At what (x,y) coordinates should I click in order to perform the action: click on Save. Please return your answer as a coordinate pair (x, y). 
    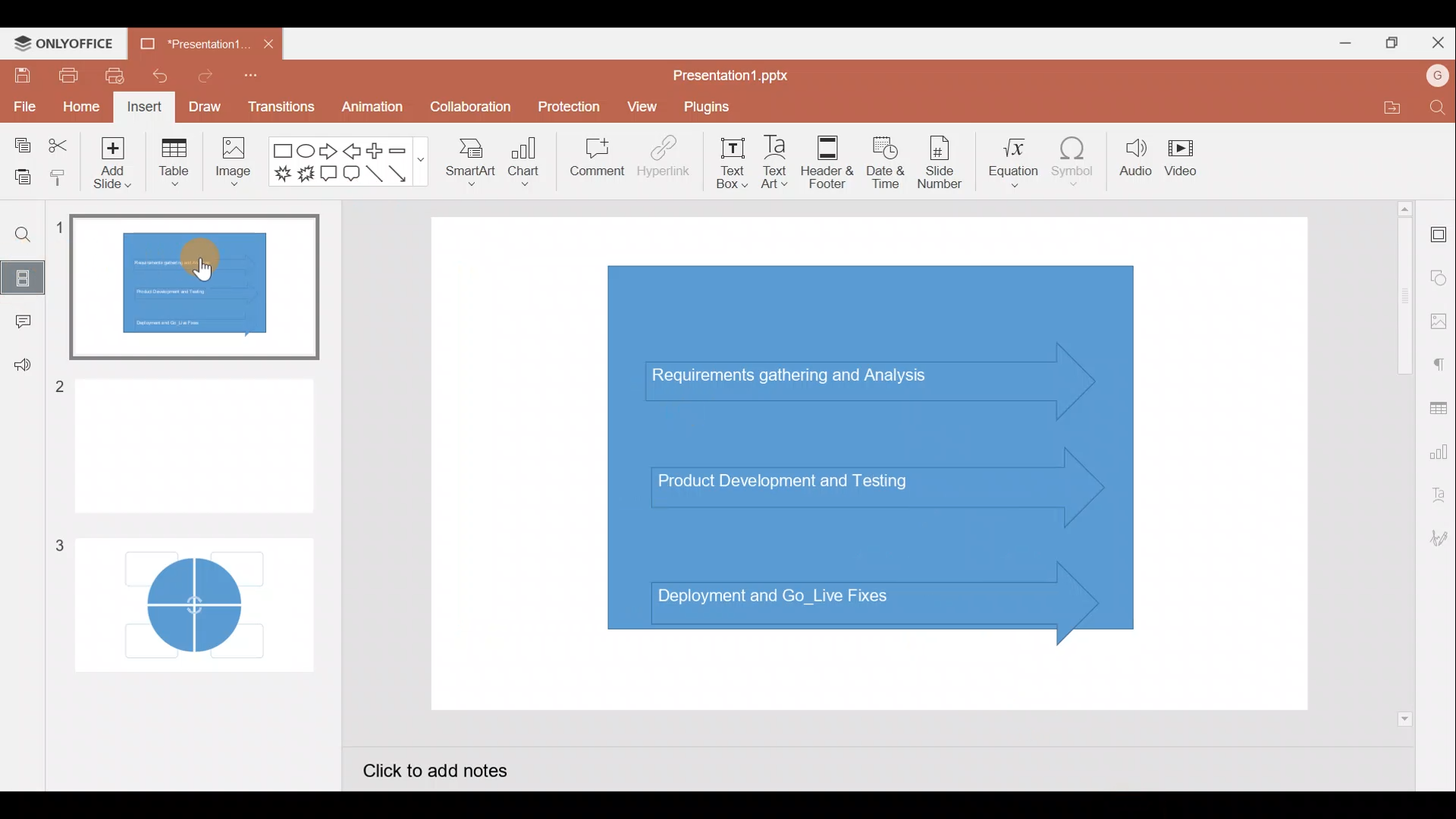
    Looking at the image, I should click on (20, 76).